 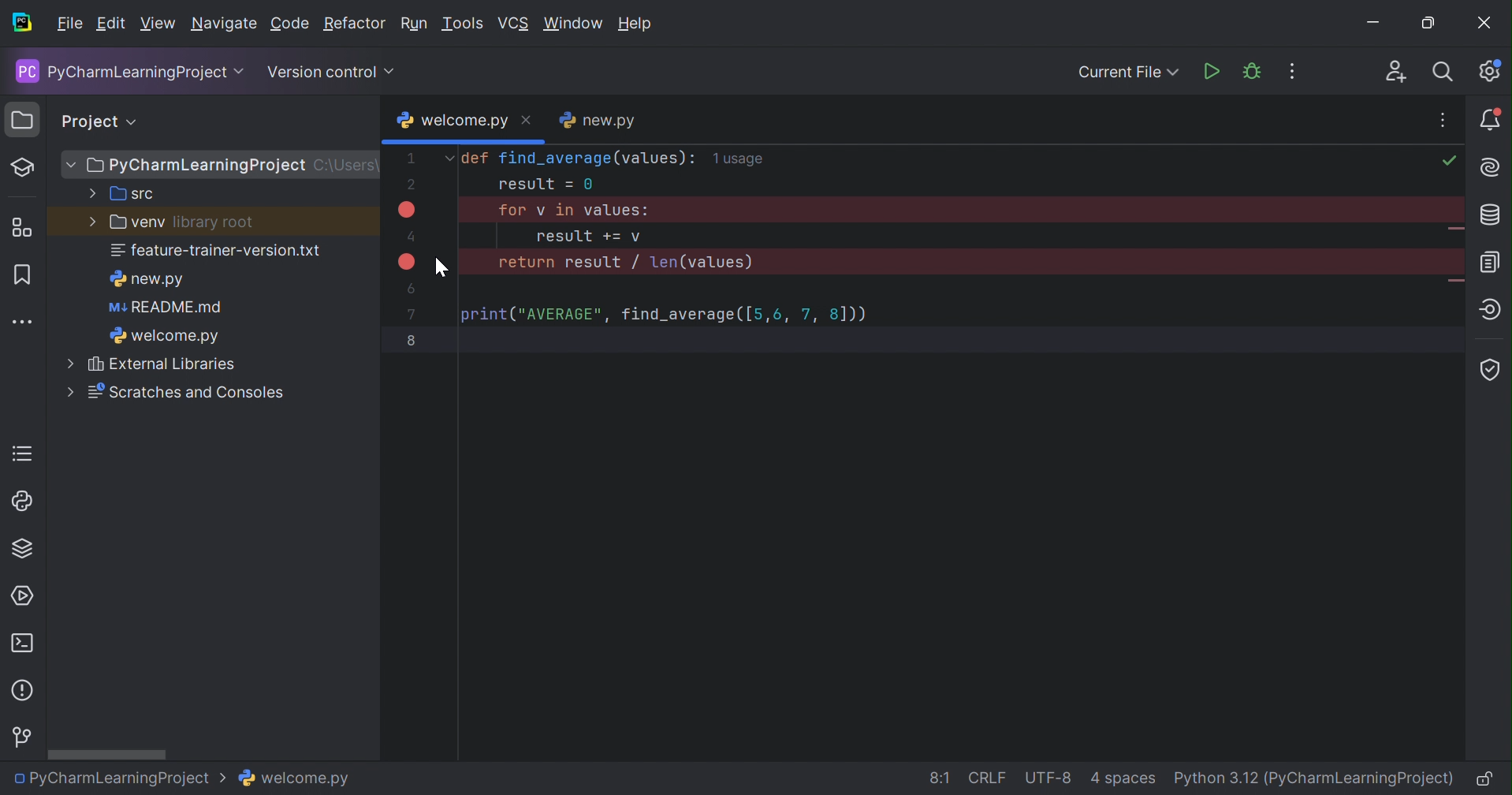 What do you see at coordinates (215, 252) in the screenshot?
I see `feature-trainer-version` at bounding box center [215, 252].